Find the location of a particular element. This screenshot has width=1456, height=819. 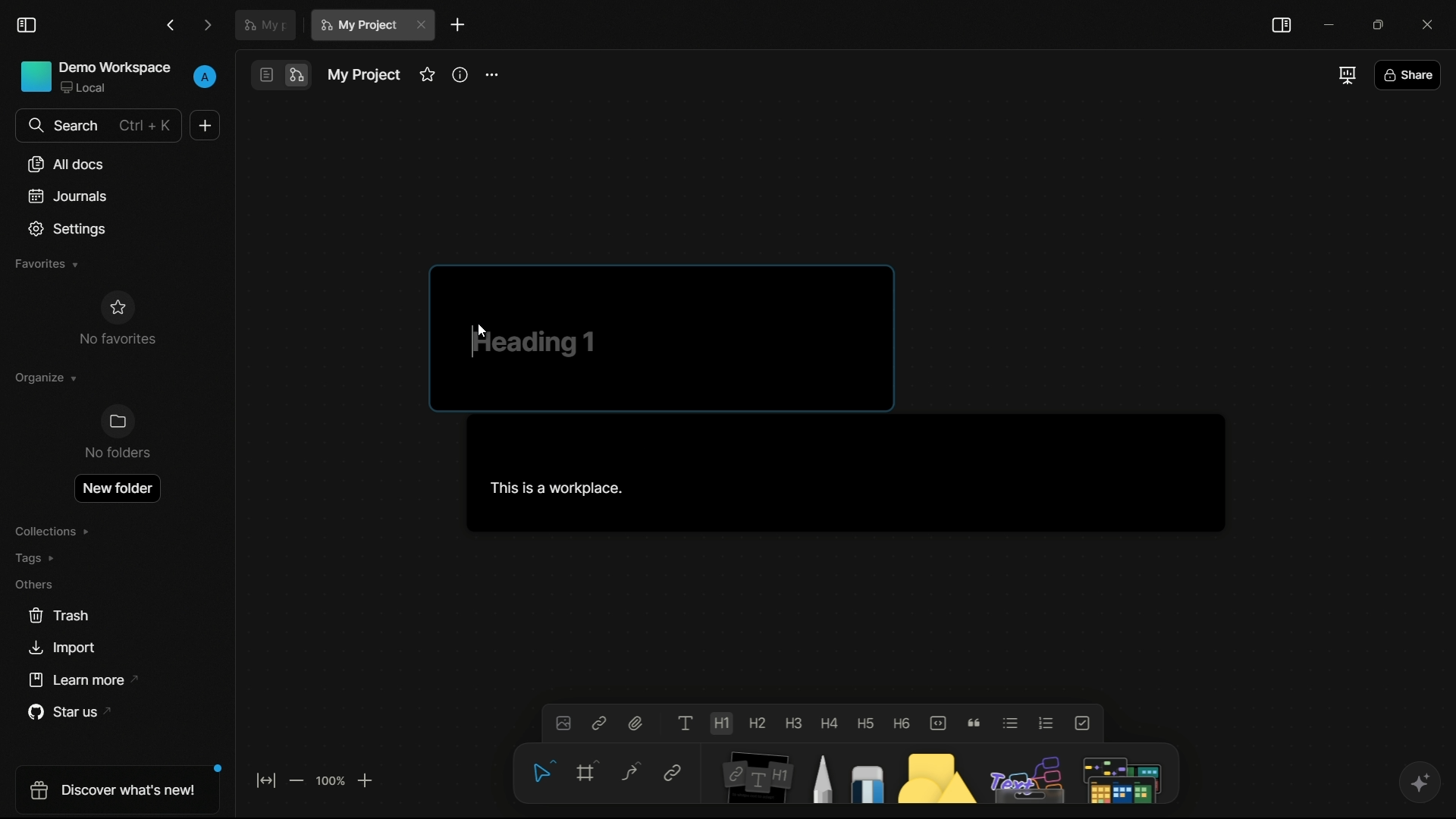

info is located at coordinates (461, 76).